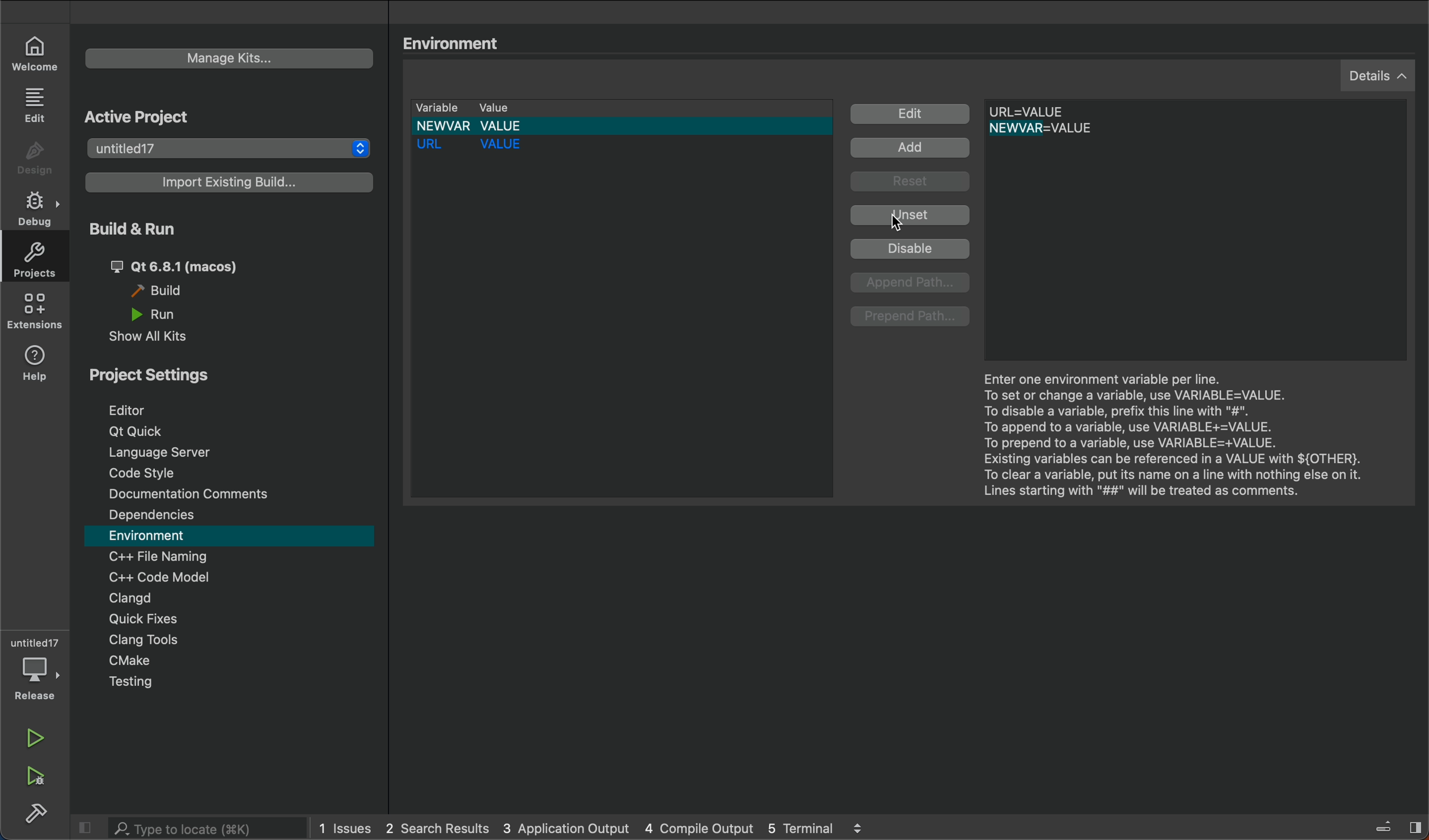 Image resolution: width=1429 pixels, height=840 pixels. What do you see at coordinates (142, 432) in the screenshot?
I see `qt quick` at bounding box center [142, 432].